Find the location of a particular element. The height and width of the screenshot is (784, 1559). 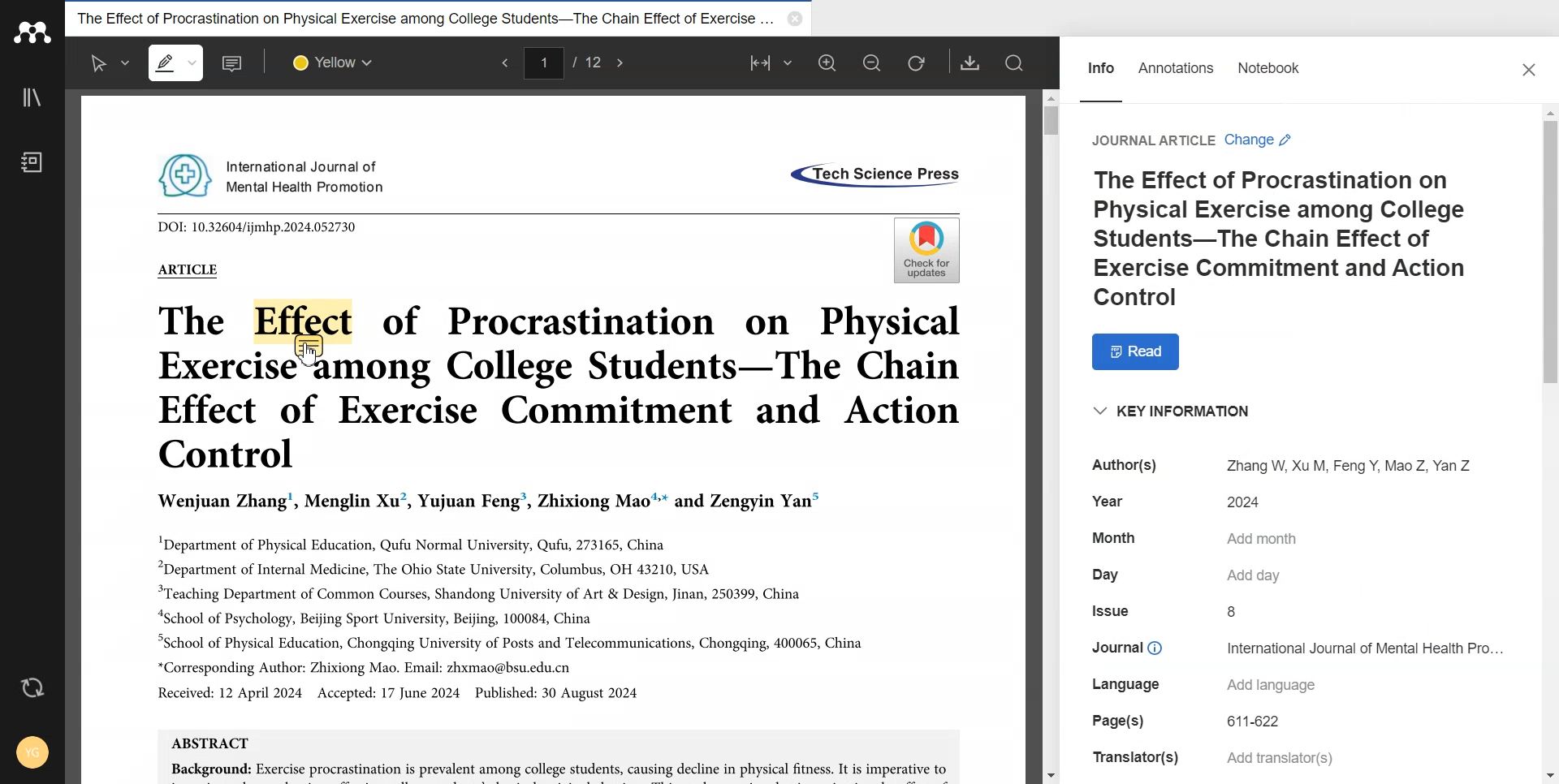

Highlight text is located at coordinates (177, 62).